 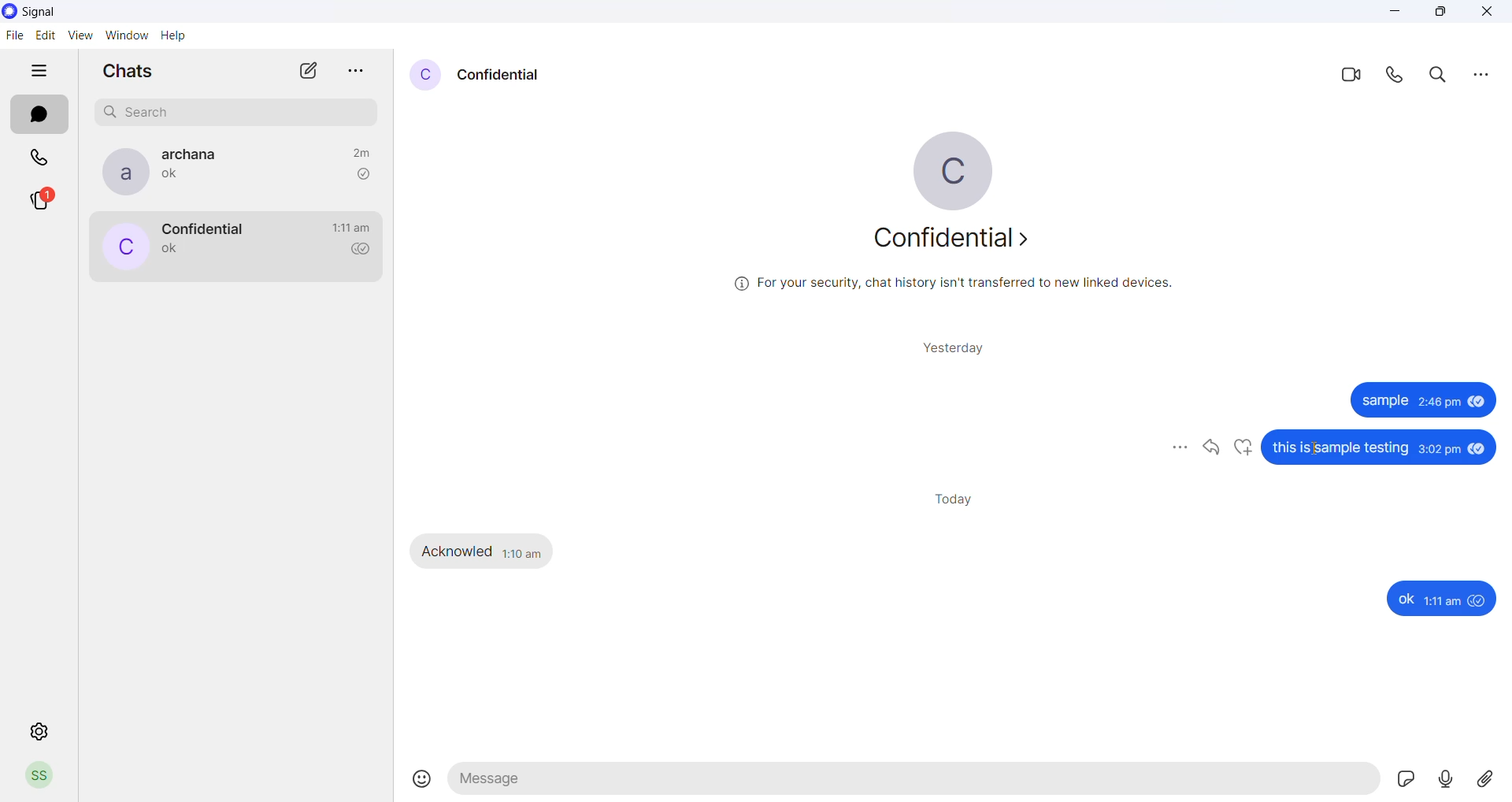 I want to click on window, so click(x=130, y=35).